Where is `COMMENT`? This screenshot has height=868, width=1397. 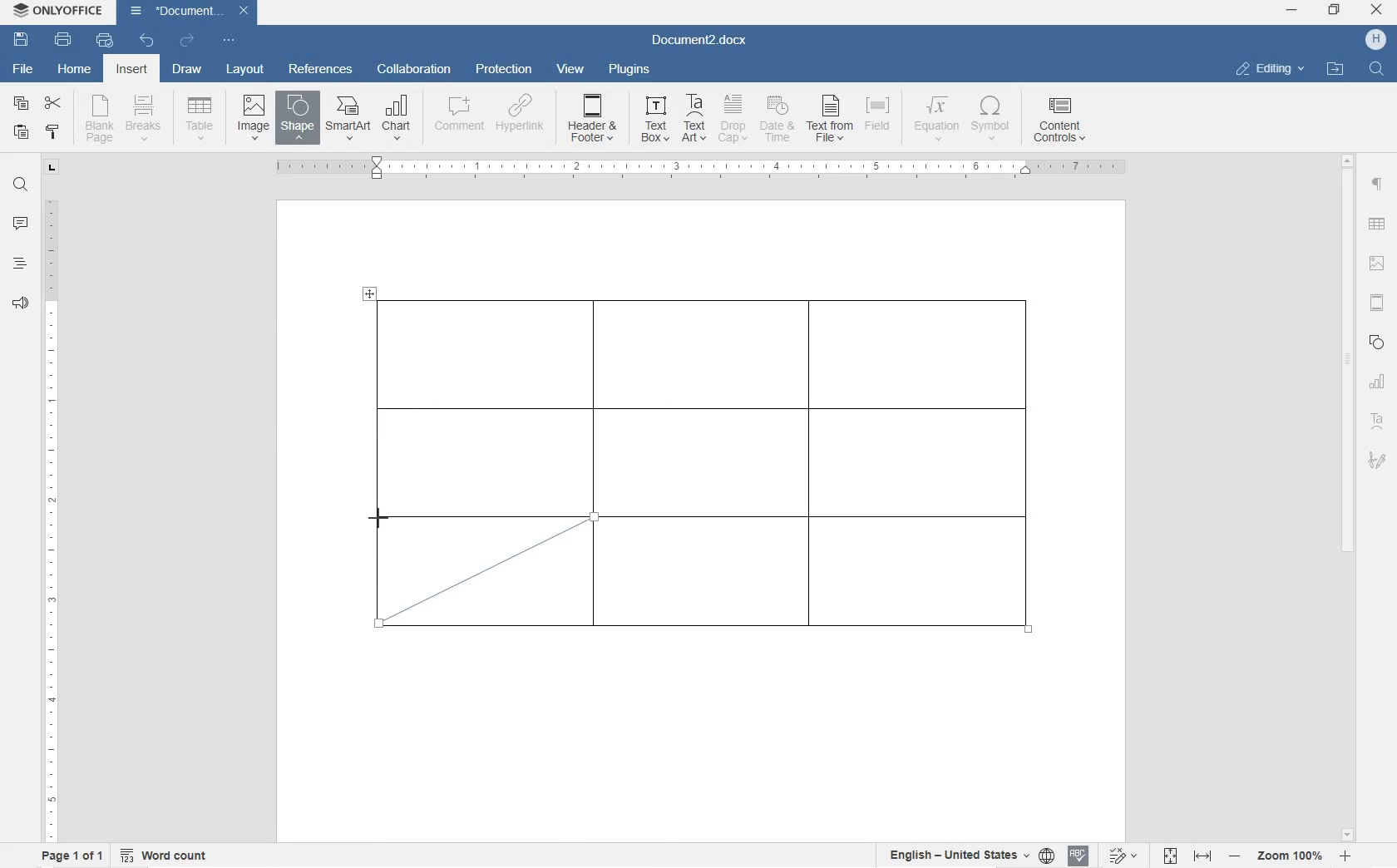
COMMENT is located at coordinates (458, 119).